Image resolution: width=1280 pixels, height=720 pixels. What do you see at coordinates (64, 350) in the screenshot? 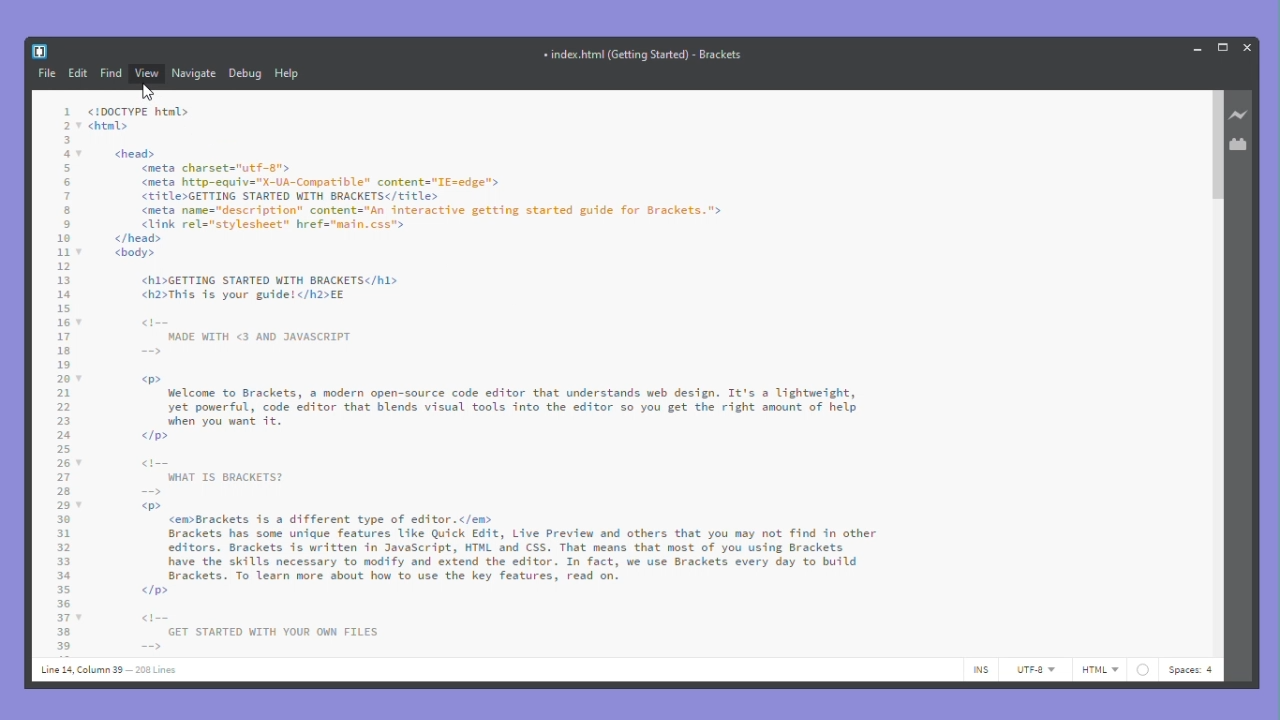
I see `18` at bounding box center [64, 350].